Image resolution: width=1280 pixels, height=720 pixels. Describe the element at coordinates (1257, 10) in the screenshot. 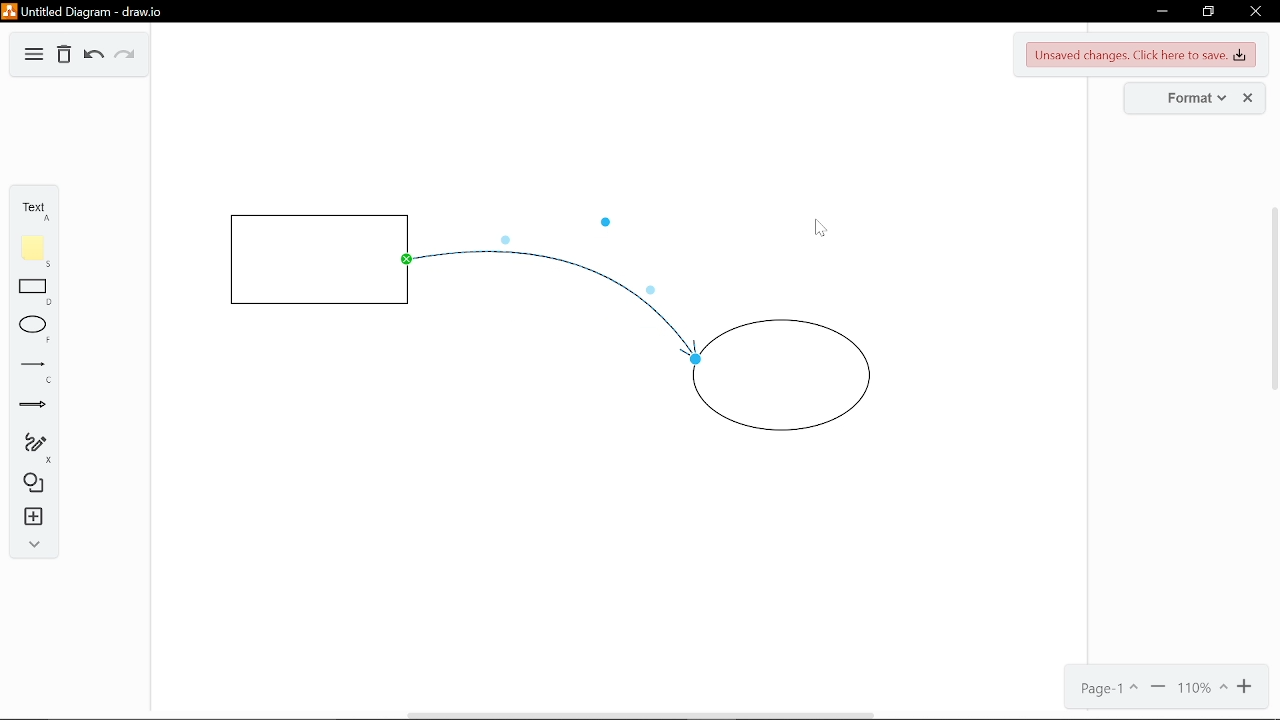

I see `Close` at that location.